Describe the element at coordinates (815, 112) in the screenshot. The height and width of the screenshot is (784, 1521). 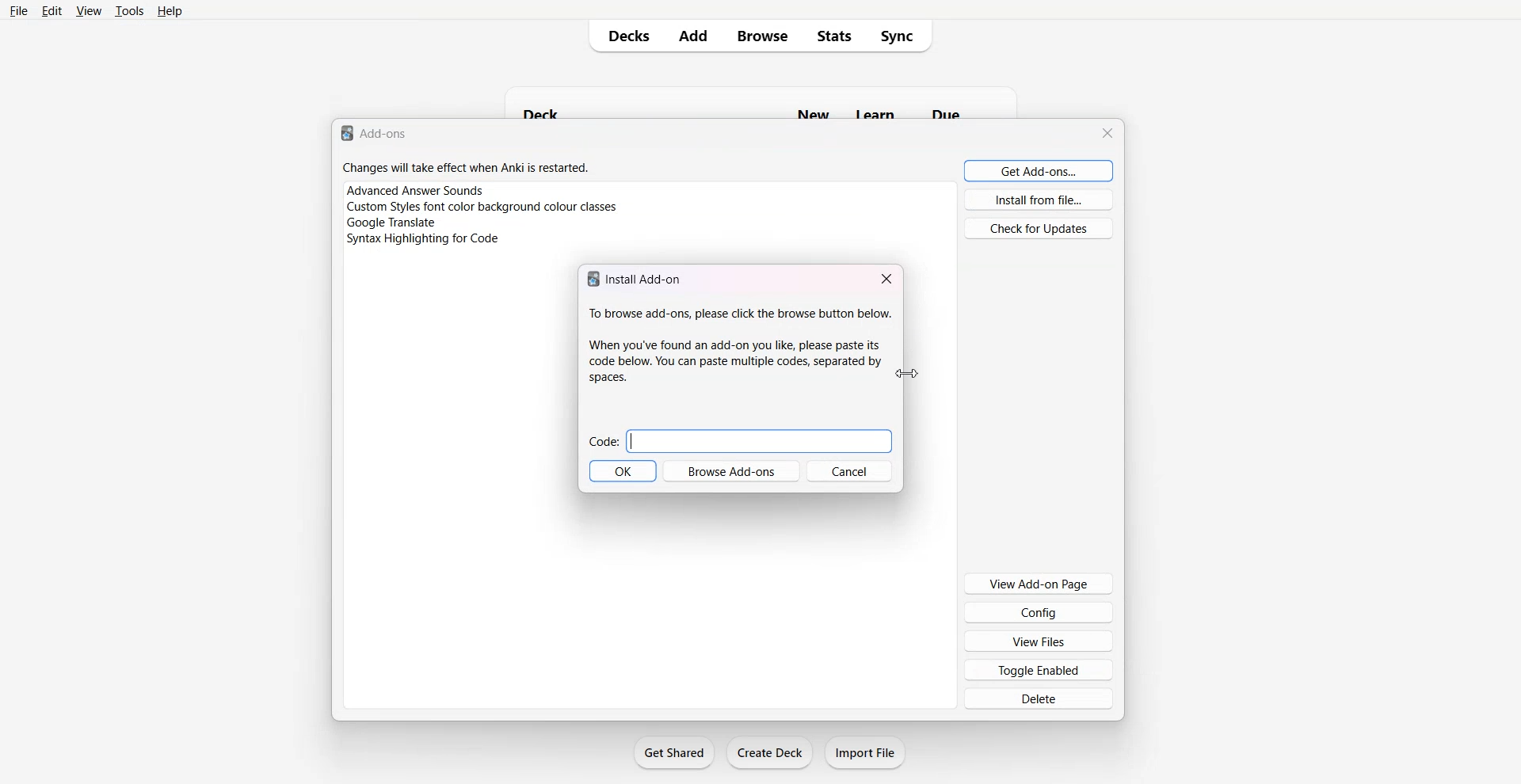
I see `new` at that location.